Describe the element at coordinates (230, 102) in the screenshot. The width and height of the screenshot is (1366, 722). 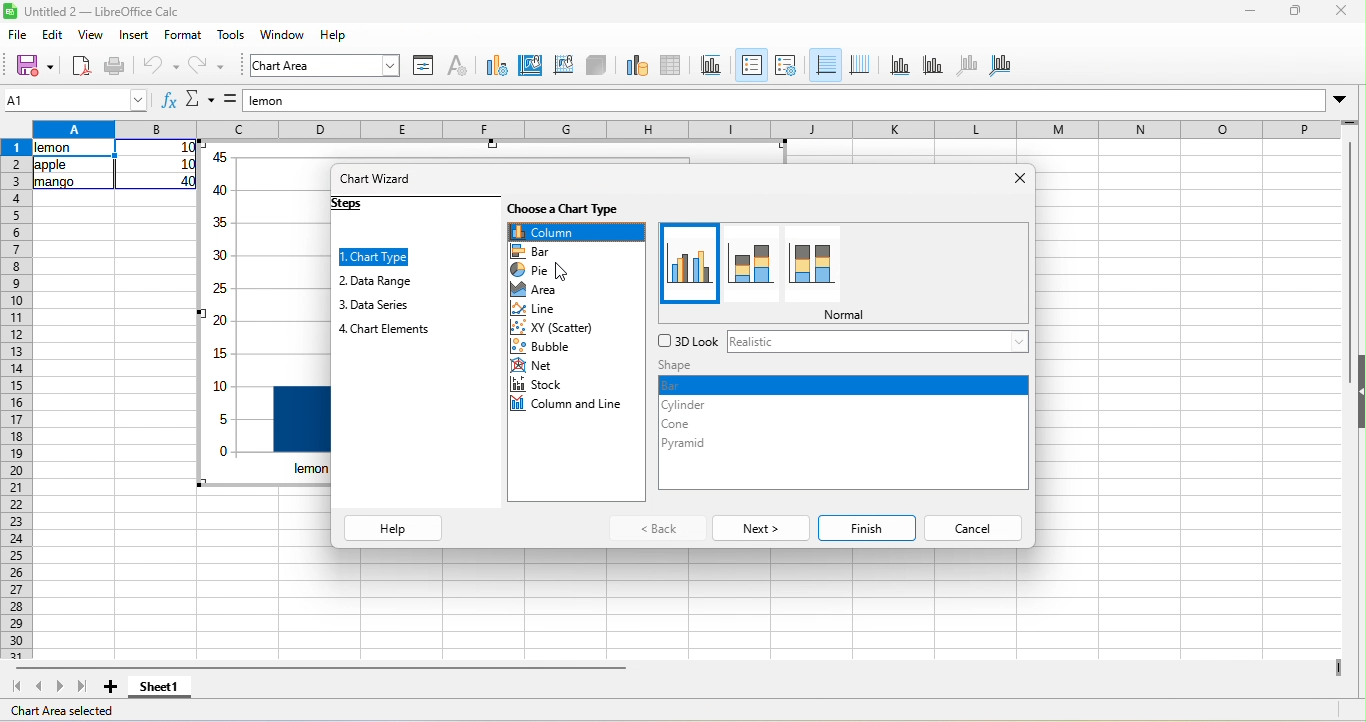
I see `formula` at that location.